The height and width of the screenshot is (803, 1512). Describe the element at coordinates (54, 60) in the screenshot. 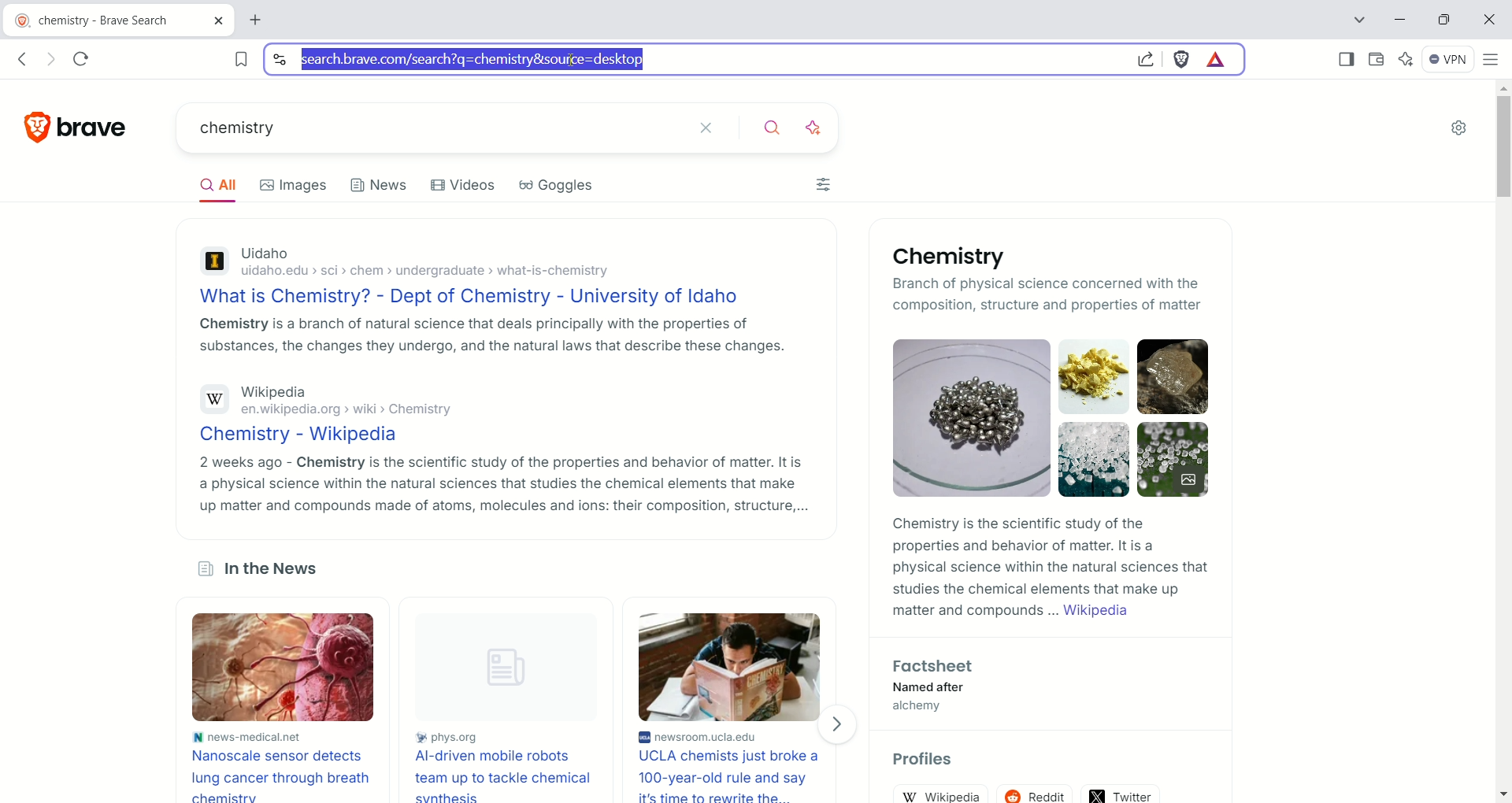

I see `go forward` at that location.